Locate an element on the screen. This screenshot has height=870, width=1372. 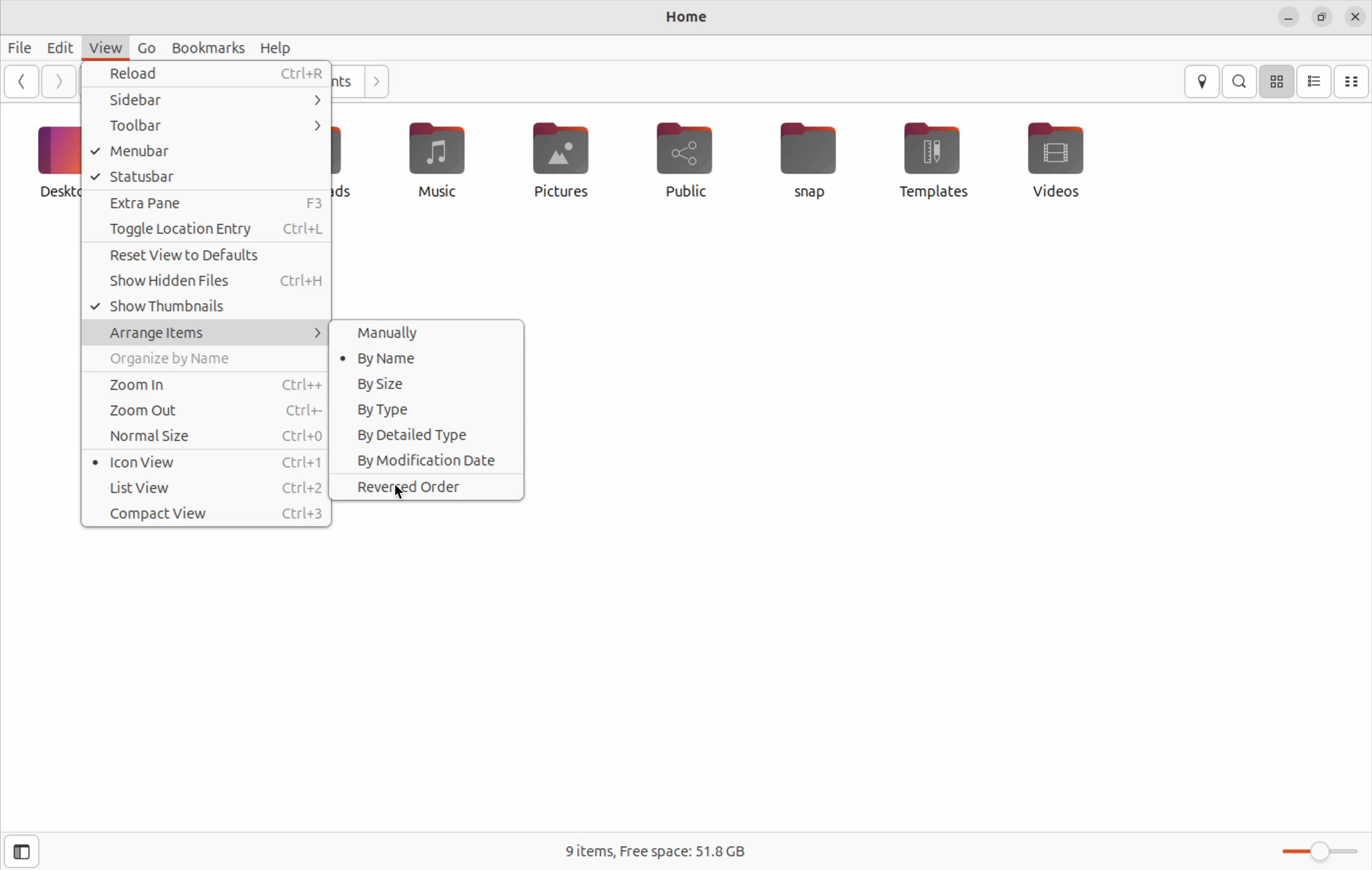
by name is located at coordinates (429, 358).